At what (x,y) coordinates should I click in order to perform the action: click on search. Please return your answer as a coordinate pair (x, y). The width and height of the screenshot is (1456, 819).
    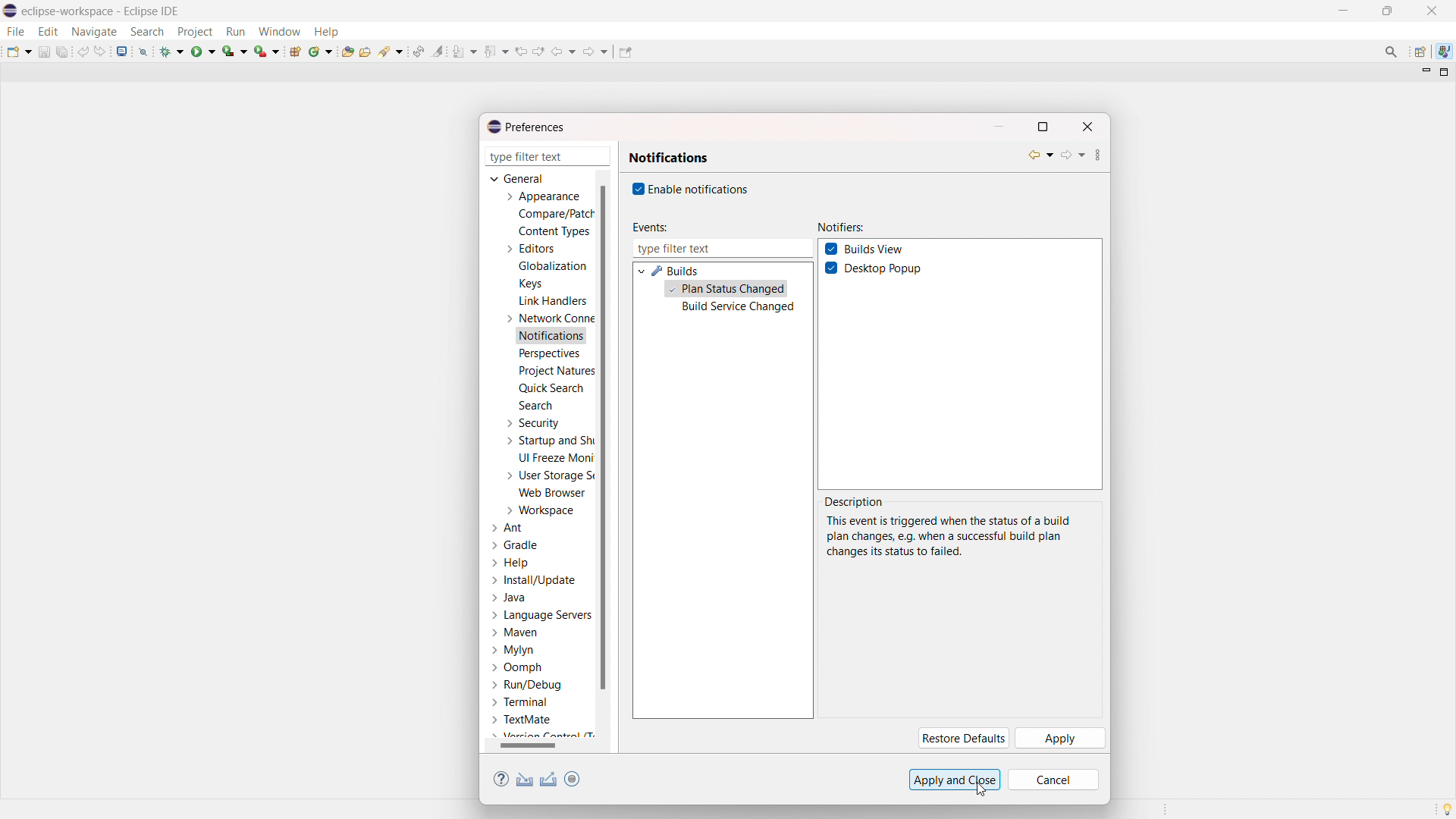
    Looking at the image, I should click on (392, 50).